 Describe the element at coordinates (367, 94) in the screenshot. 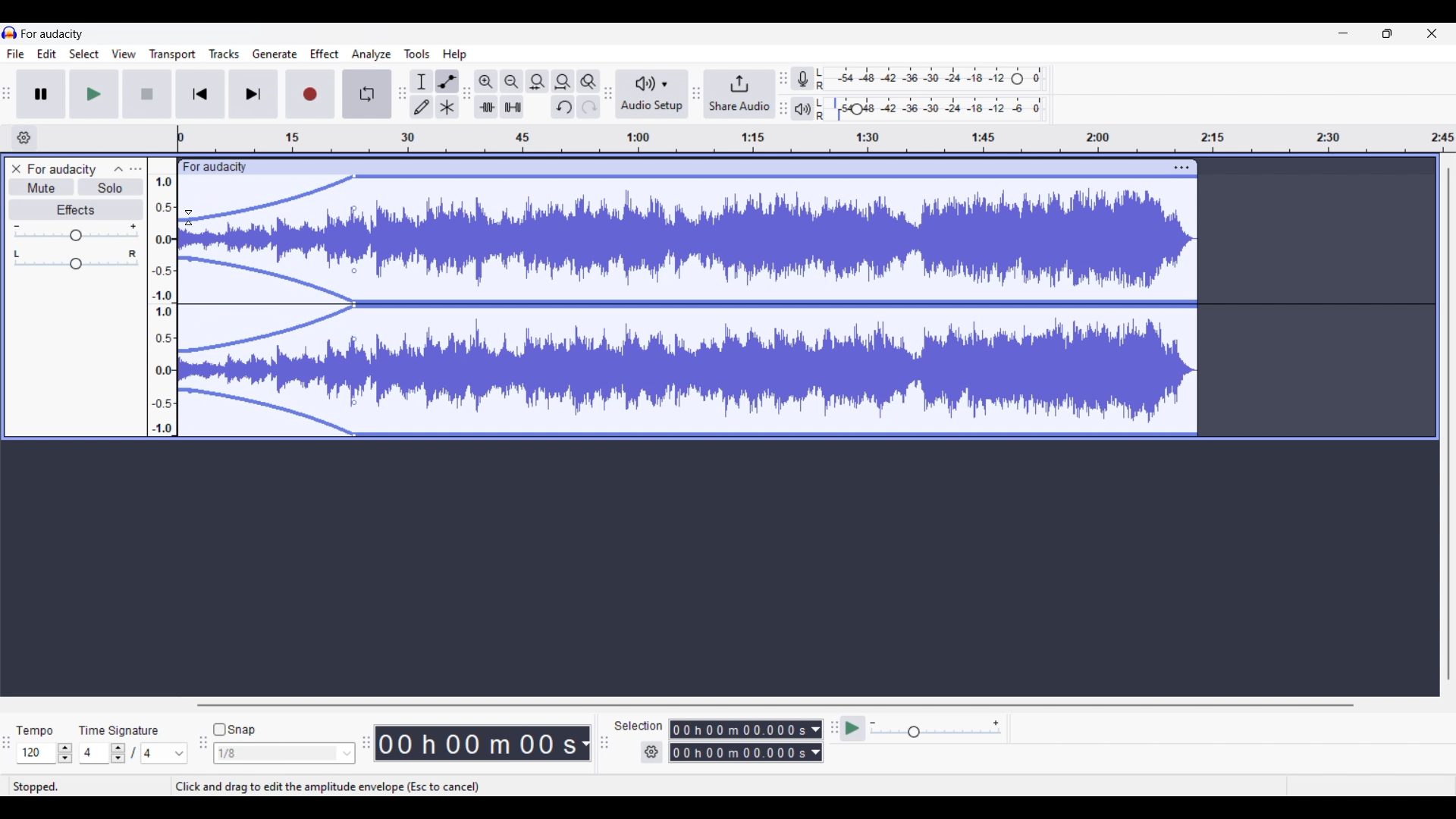

I see `Enable looping` at that location.